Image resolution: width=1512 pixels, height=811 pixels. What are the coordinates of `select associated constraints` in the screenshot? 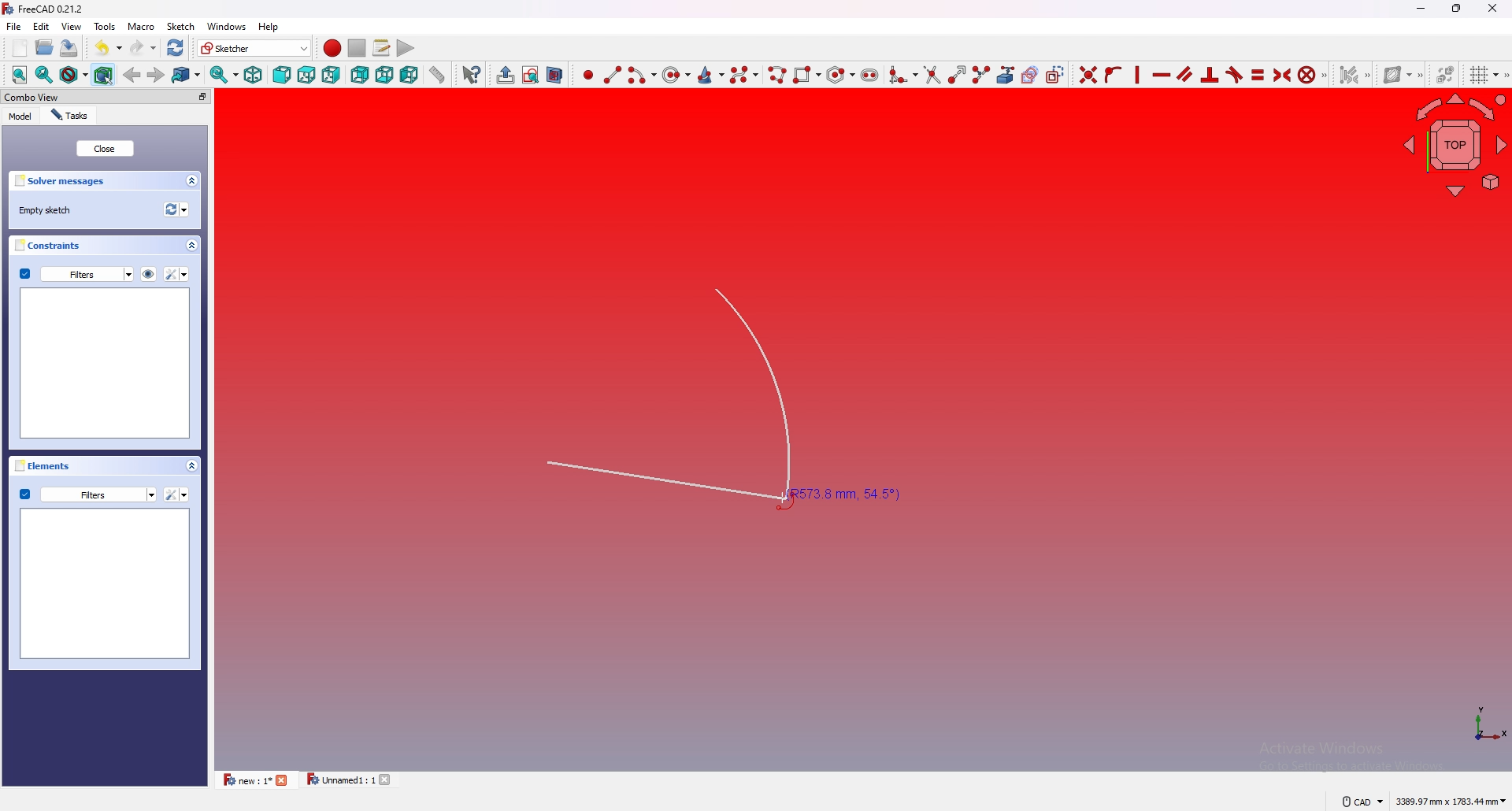 It's located at (1355, 73).